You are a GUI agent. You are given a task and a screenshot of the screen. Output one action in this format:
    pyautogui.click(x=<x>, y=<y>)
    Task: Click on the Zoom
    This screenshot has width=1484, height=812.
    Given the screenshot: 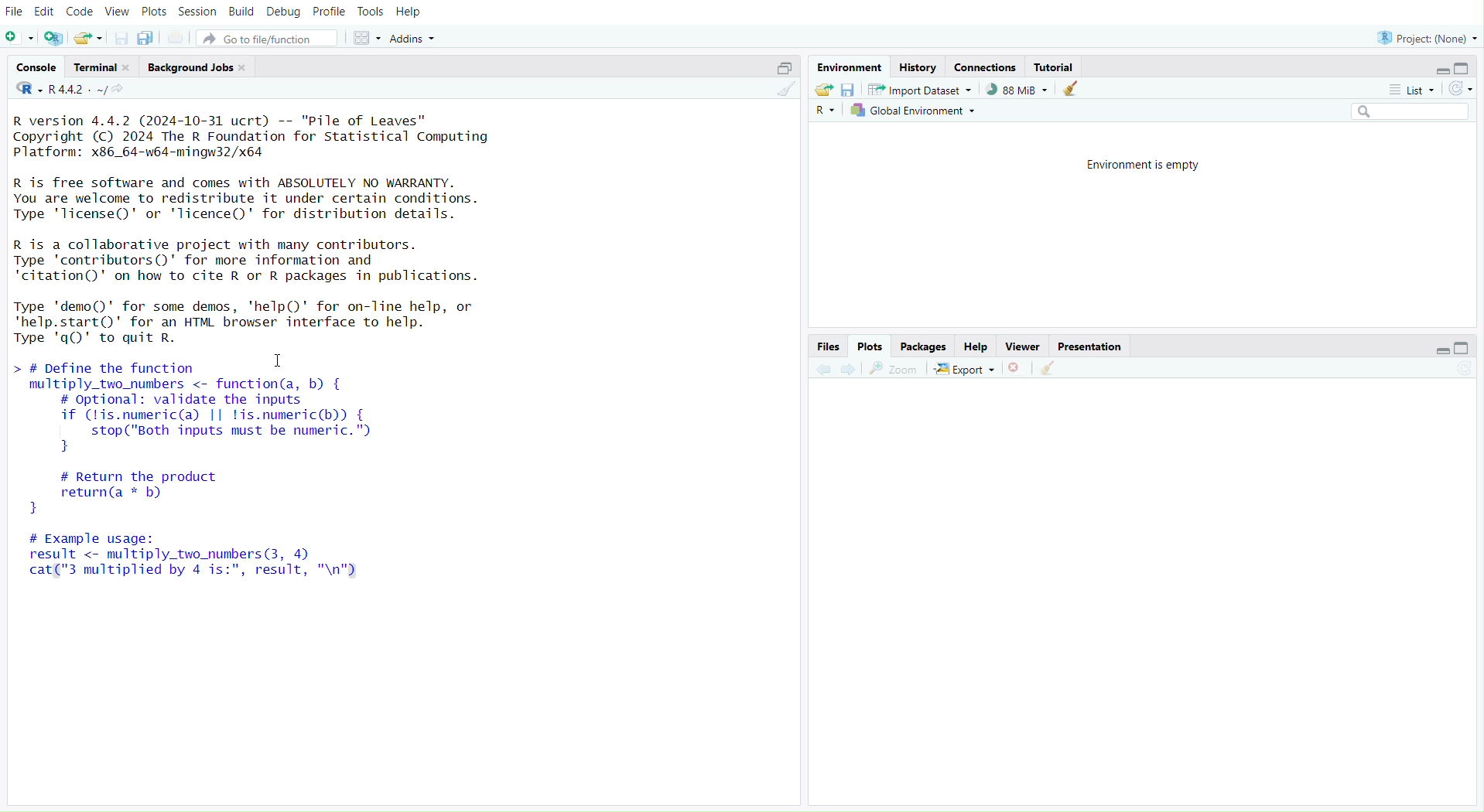 What is the action you would take?
    pyautogui.click(x=893, y=368)
    